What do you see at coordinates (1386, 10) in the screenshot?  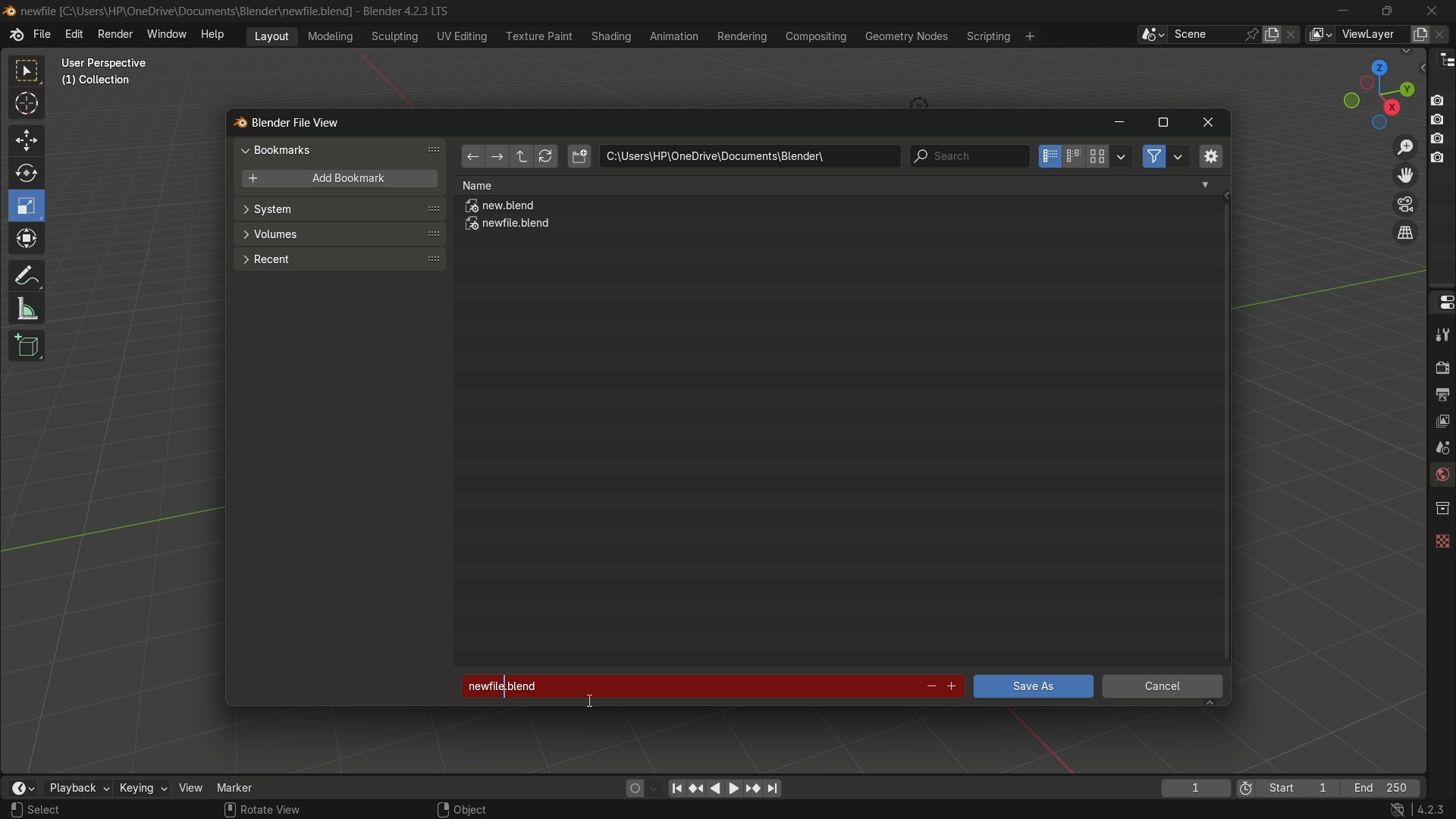 I see `maximize or restore` at bounding box center [1386, 10].